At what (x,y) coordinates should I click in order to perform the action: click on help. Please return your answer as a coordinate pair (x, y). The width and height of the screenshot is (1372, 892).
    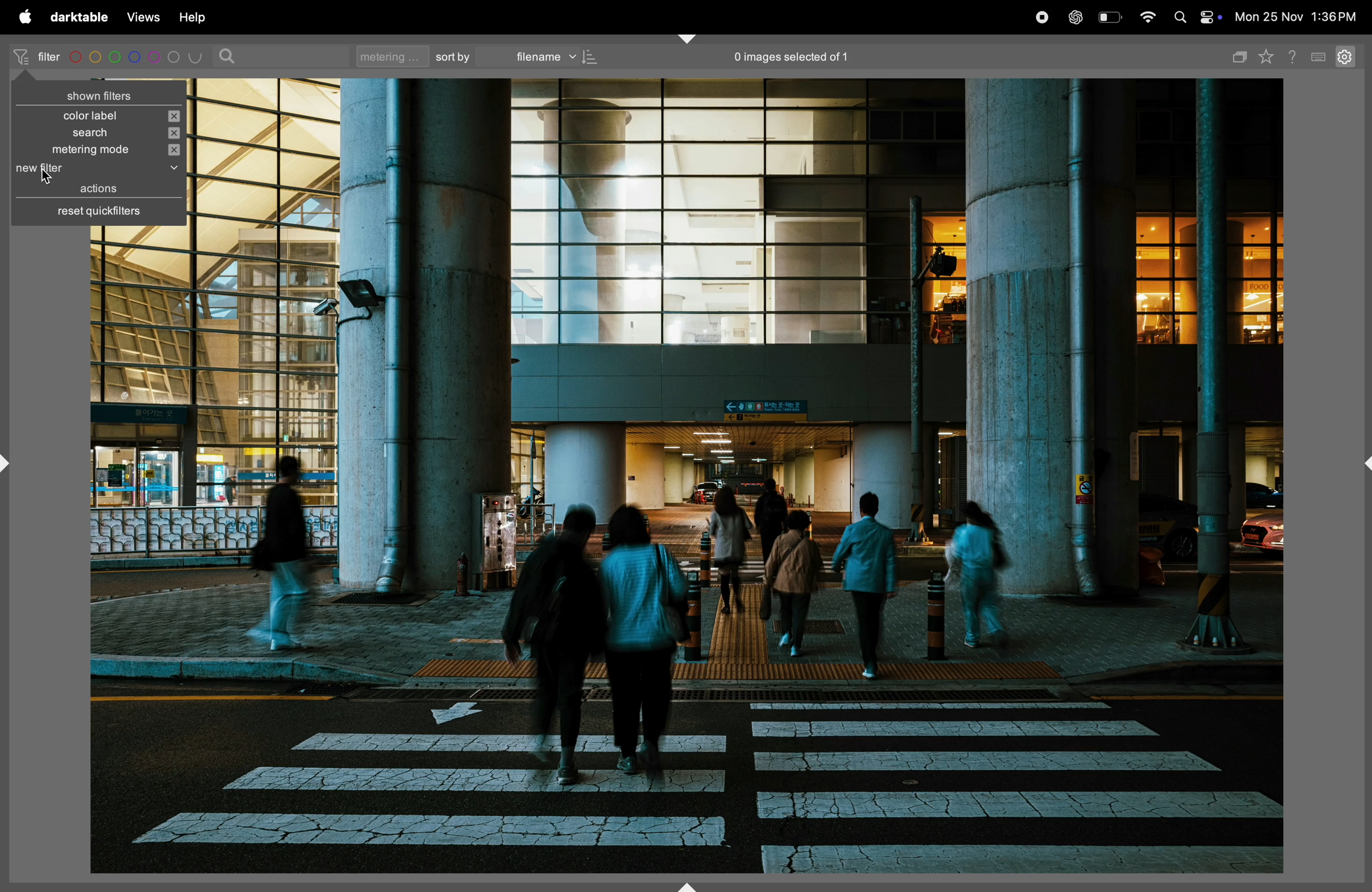
    Looking at the image, I should click on (1296, 55).